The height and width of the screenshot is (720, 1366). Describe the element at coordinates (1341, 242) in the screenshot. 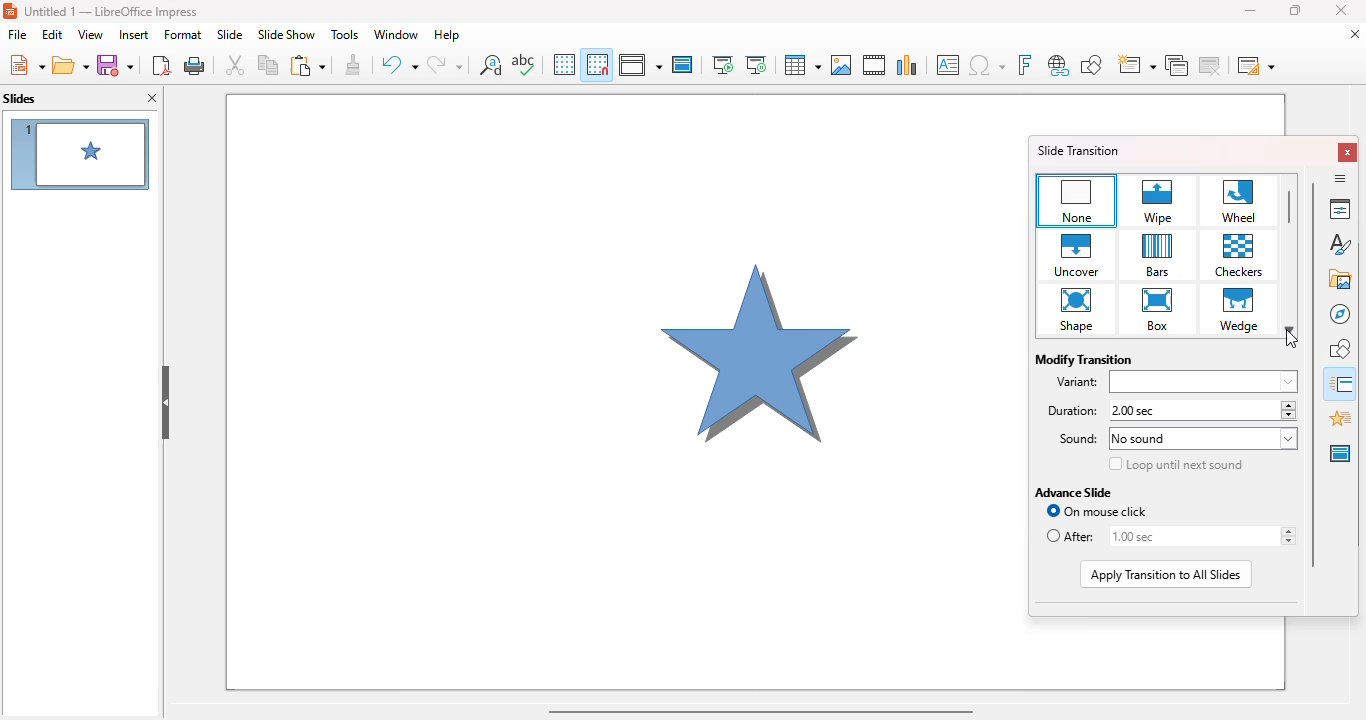

I see `styles` at that location.